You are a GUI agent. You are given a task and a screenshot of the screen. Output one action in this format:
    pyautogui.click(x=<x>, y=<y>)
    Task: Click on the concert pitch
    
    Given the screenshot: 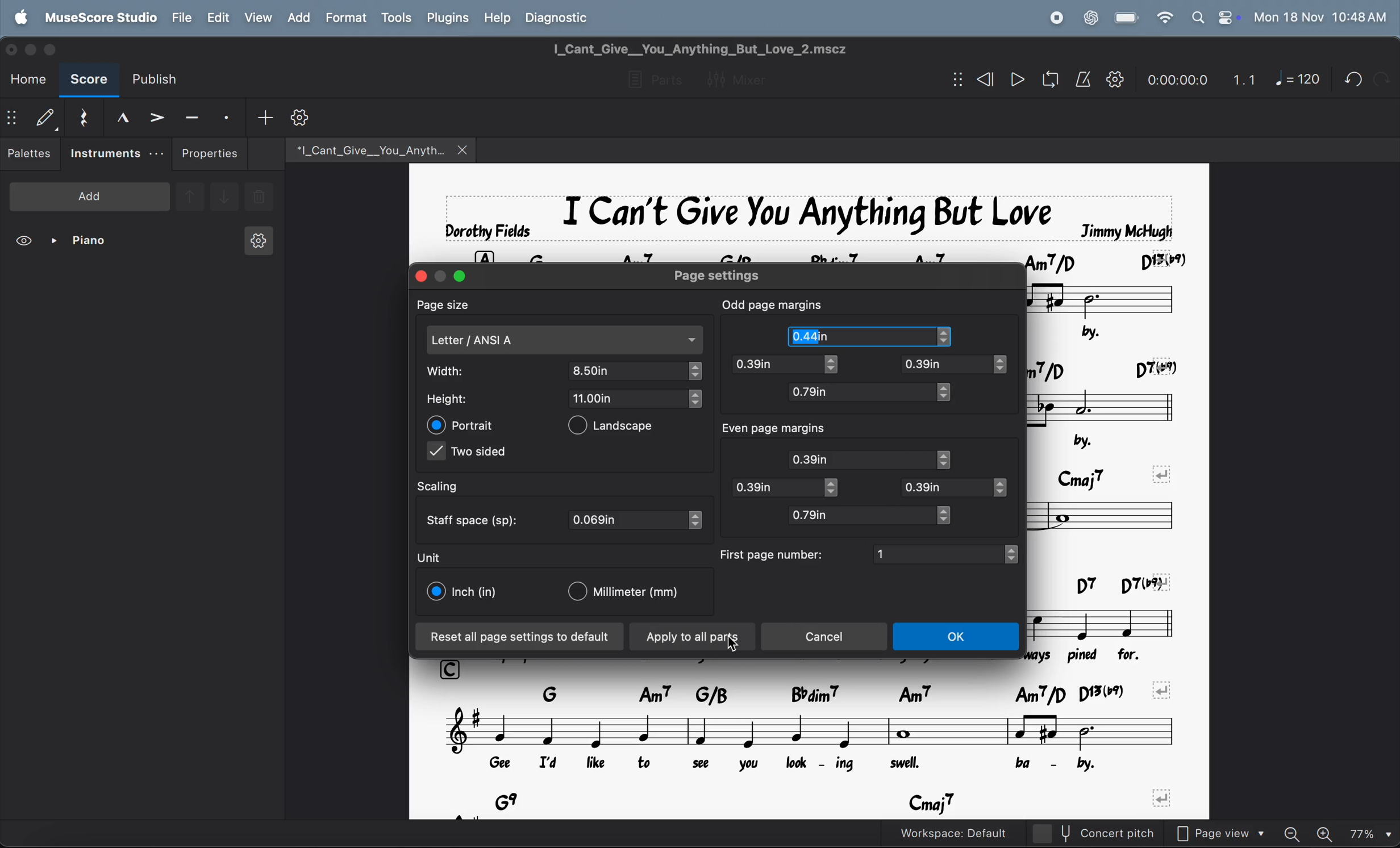 What is the action you would take?
    pyautogui.click(x=1116, y=833)
    